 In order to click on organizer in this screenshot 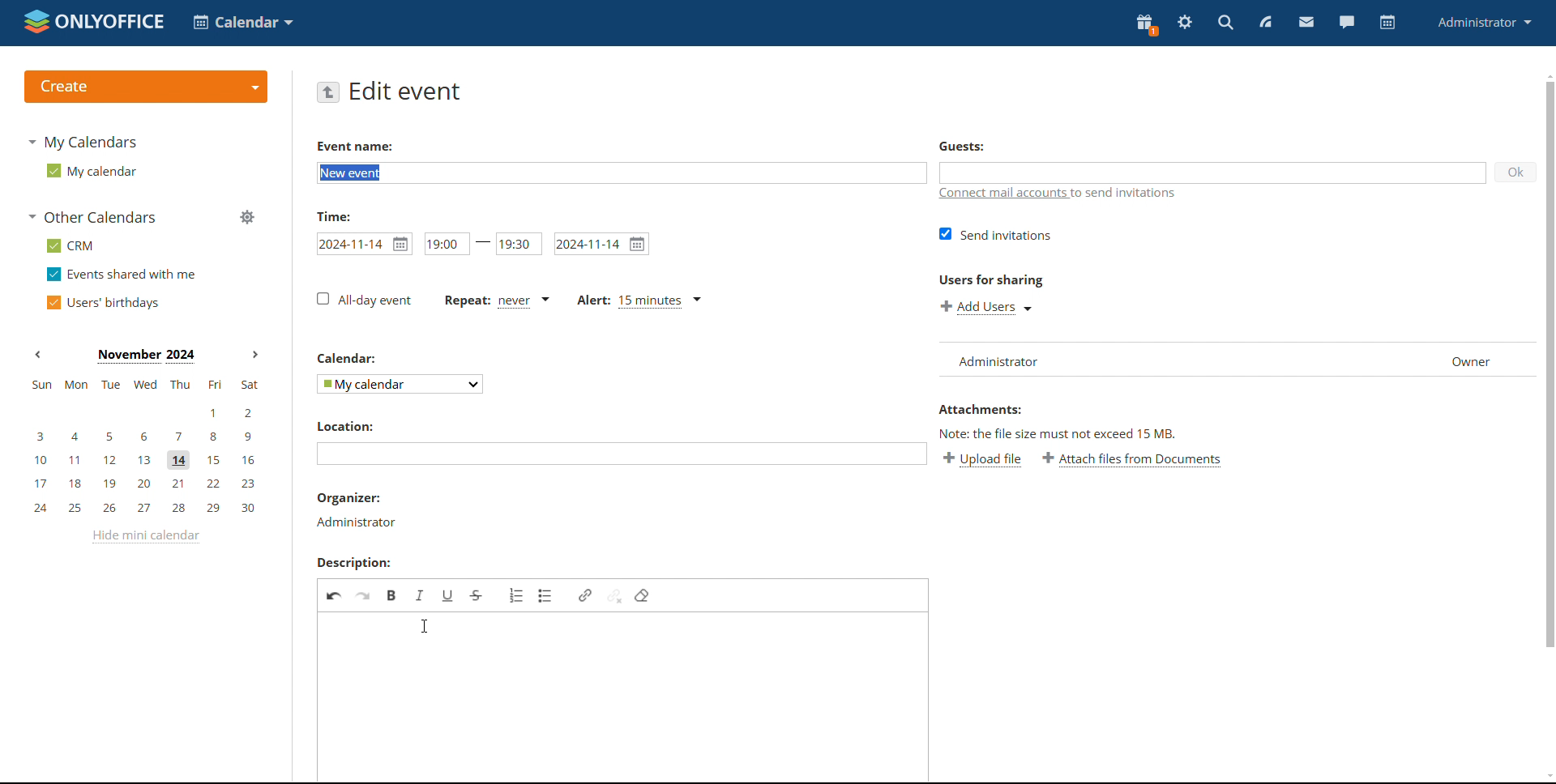, I will do `click(349, 498)`.